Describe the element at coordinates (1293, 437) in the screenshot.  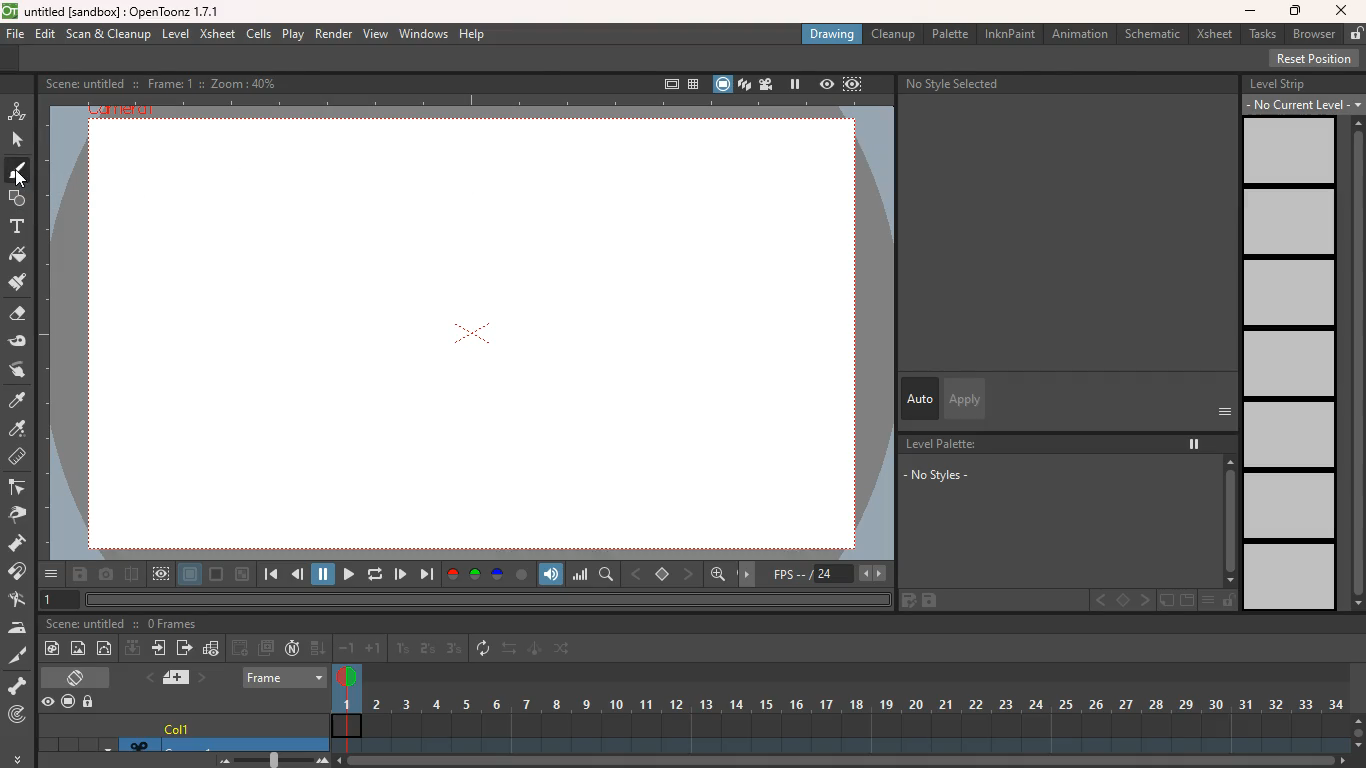
I see `level` at that location.